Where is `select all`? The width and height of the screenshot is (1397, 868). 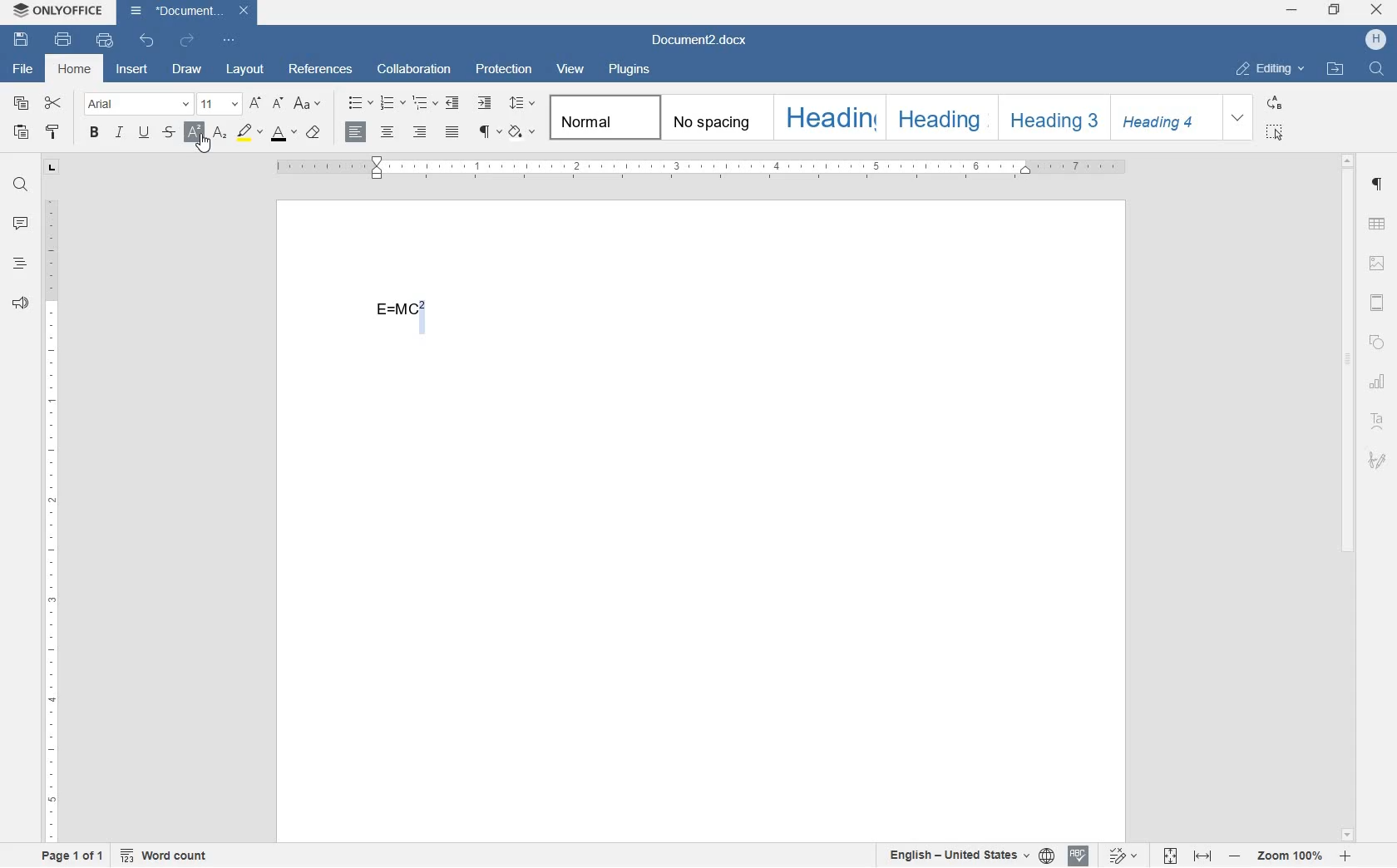 select all is located at coordinates (1277, 131).